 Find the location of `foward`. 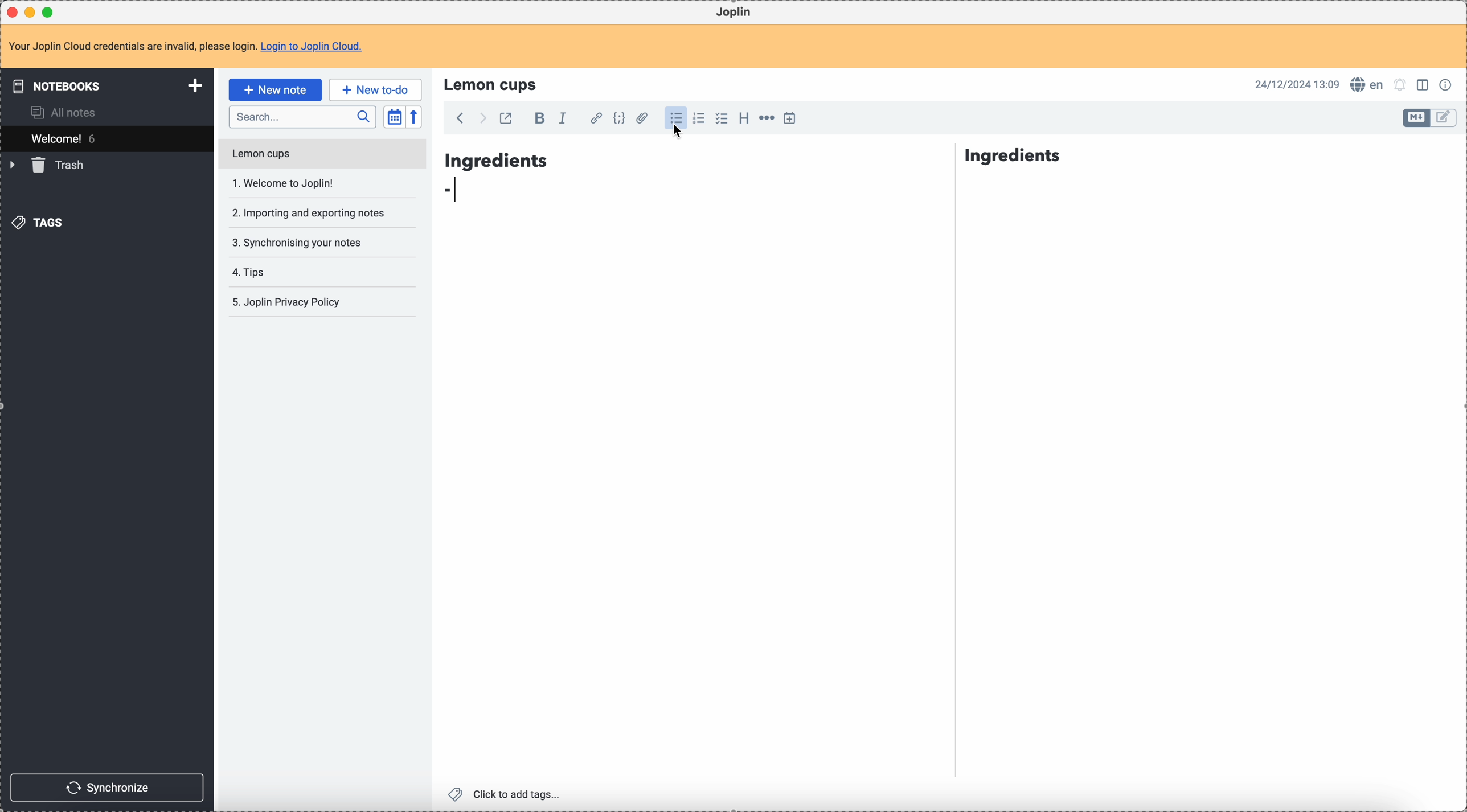

foward is located at coordinates (481, 118).